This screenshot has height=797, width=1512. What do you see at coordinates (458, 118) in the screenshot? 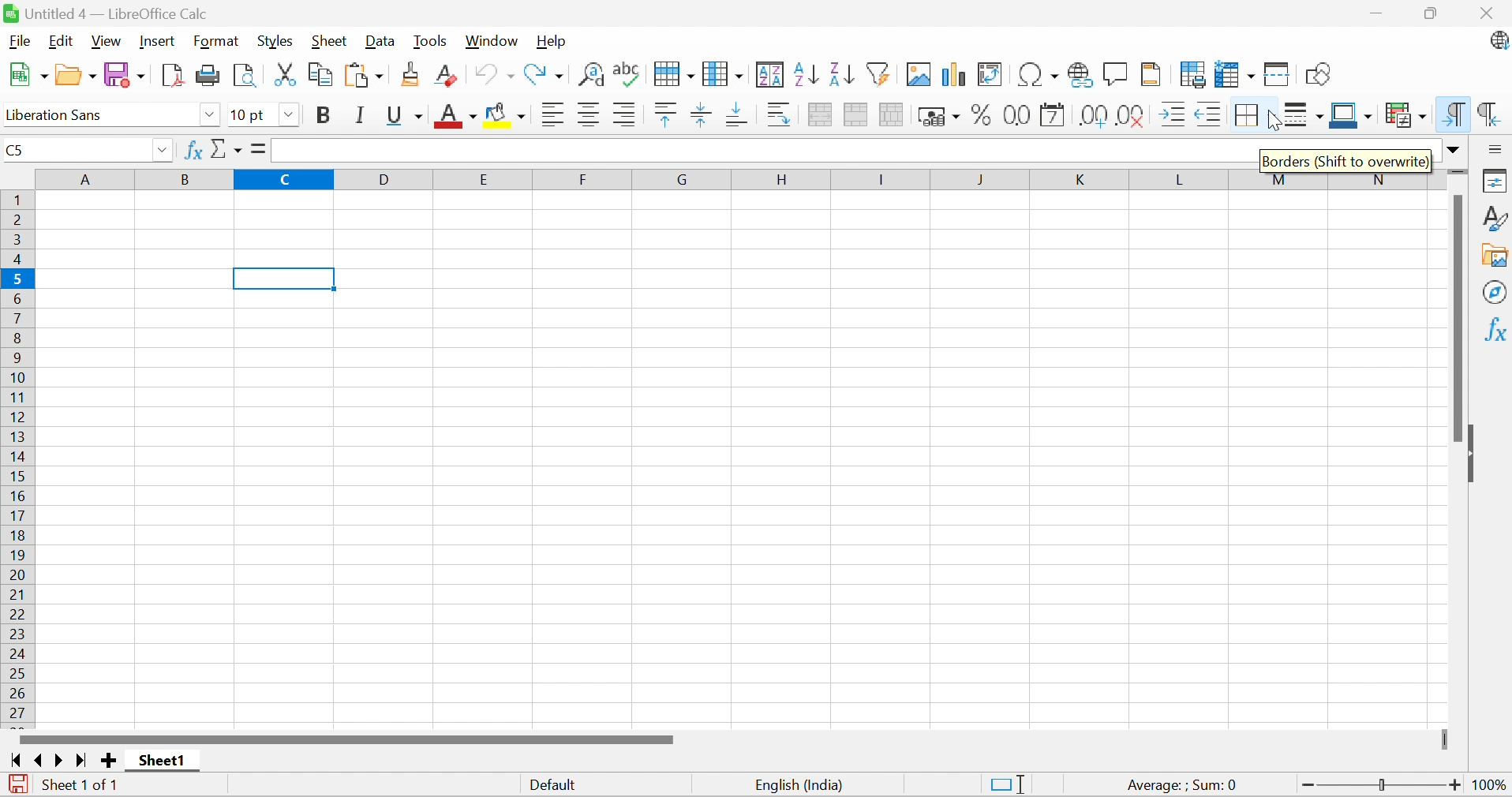
I see `Font color` at bounding box center [458, 118].